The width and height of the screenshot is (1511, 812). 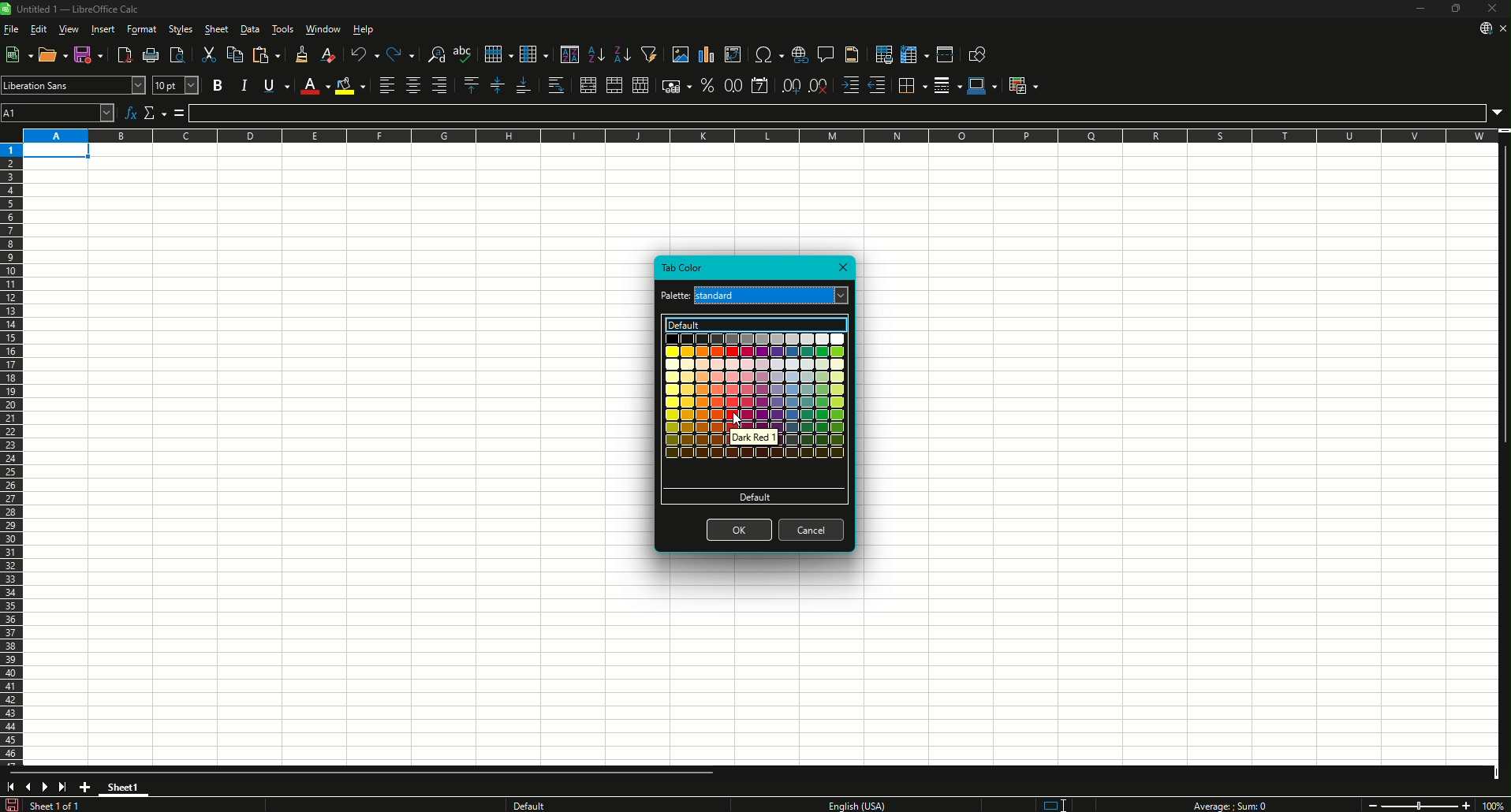 What do you see at coordinates (1493, 806) in the screenshot?
I see `Zoom Factor` at bounding box center [1493, 806].